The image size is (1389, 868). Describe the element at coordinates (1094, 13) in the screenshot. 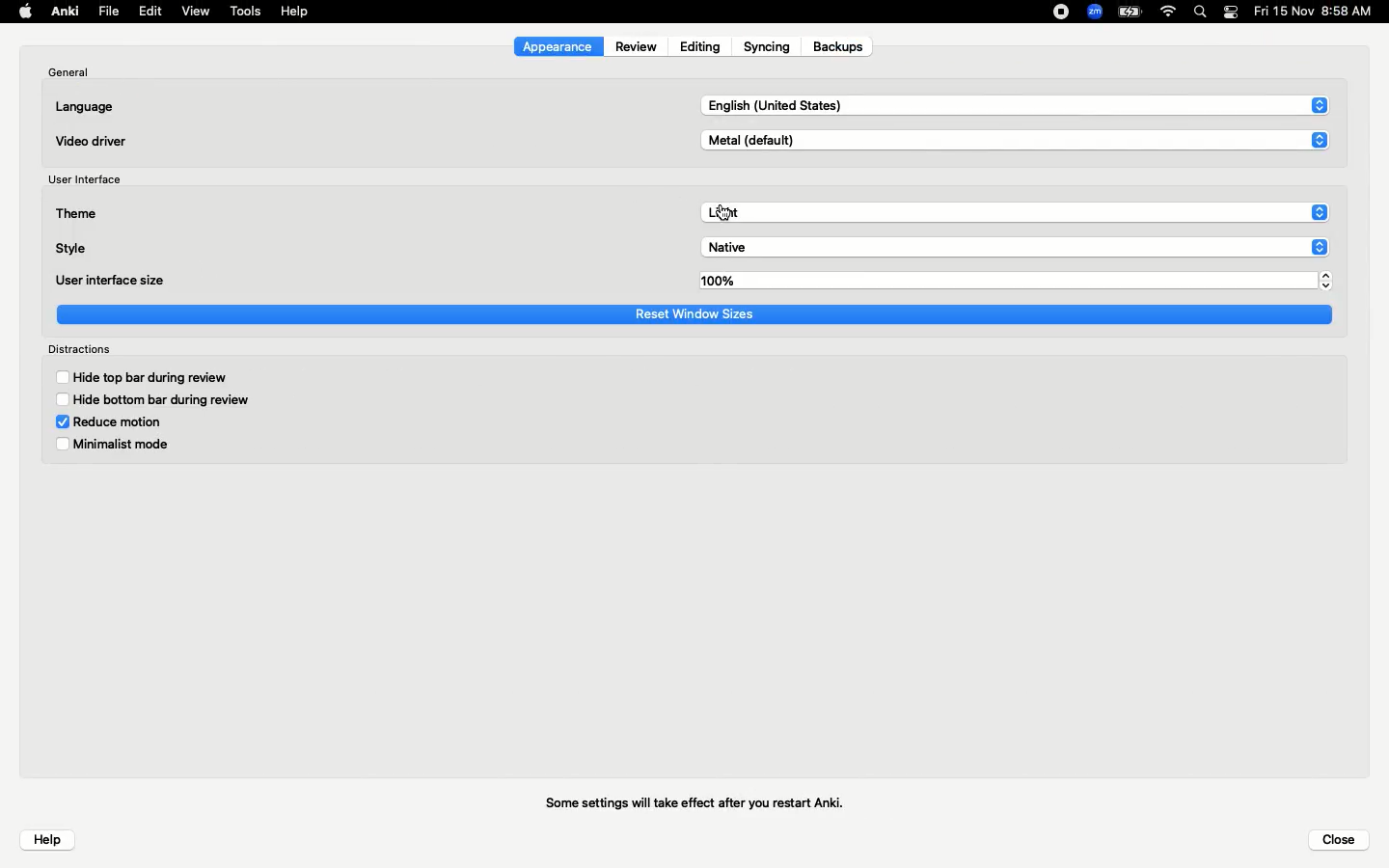

I see `Zoom` at that location.